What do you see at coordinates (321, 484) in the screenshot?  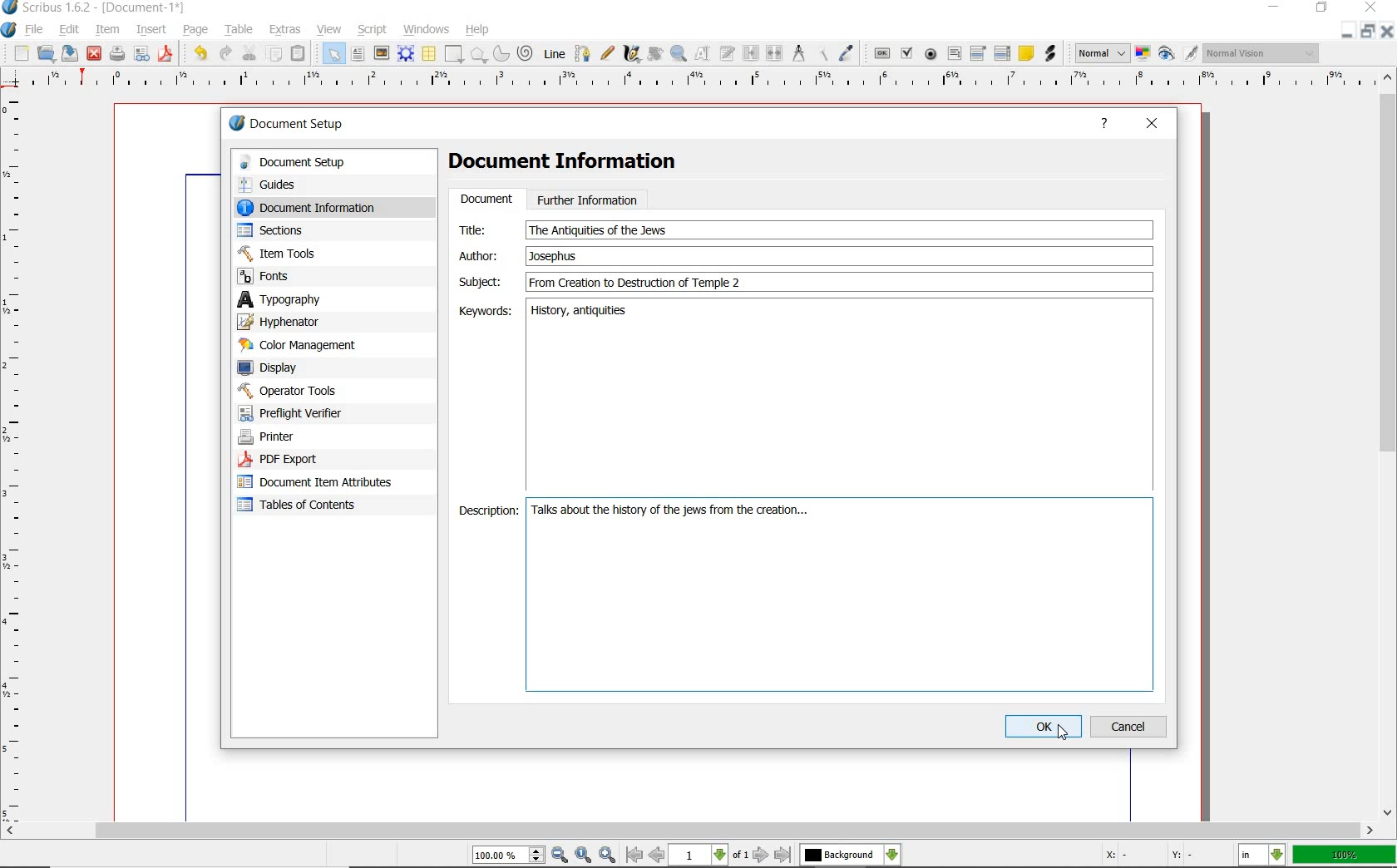 I see `document item attributes` at bounding box center [321, 484].